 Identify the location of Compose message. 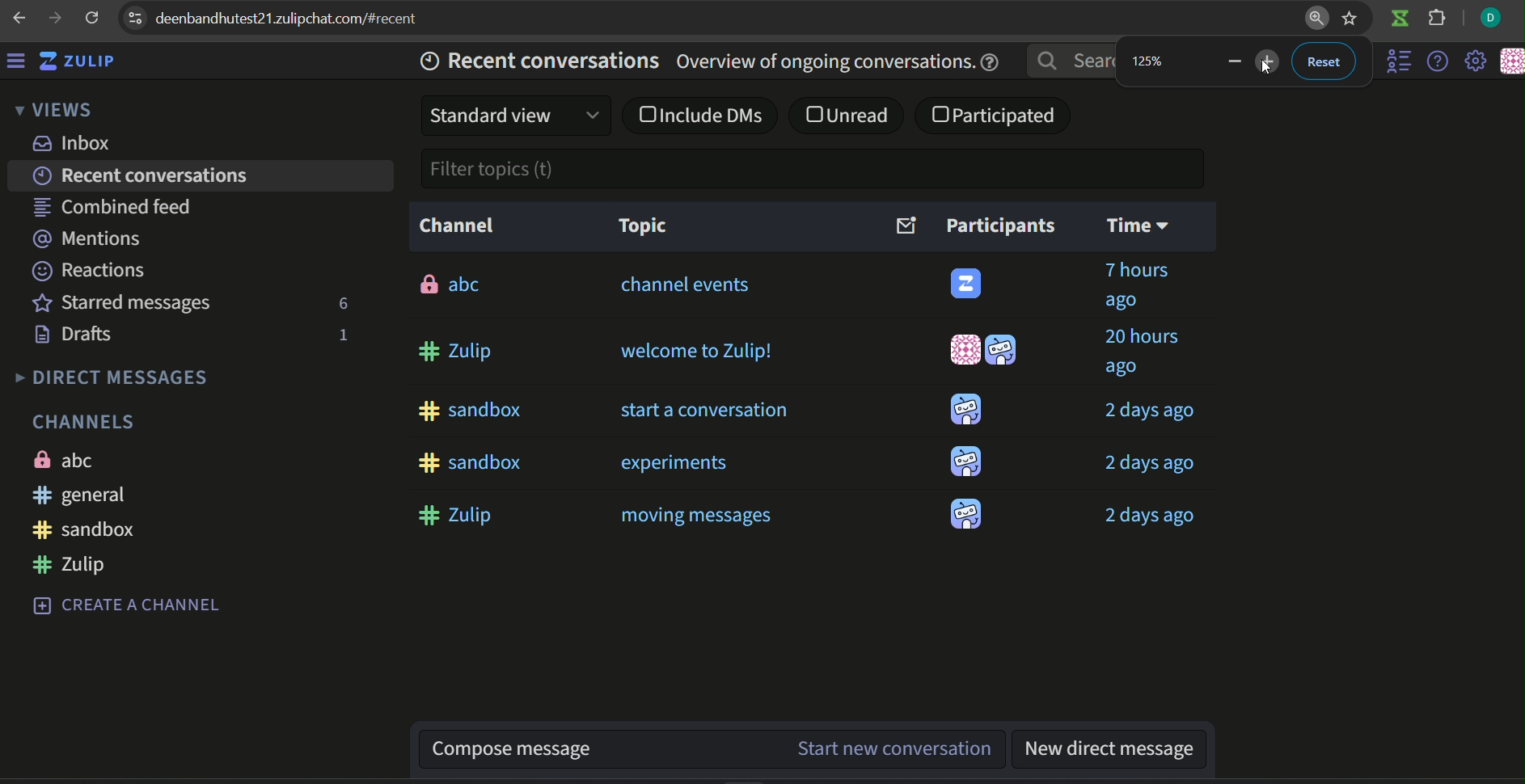
(602, 750).